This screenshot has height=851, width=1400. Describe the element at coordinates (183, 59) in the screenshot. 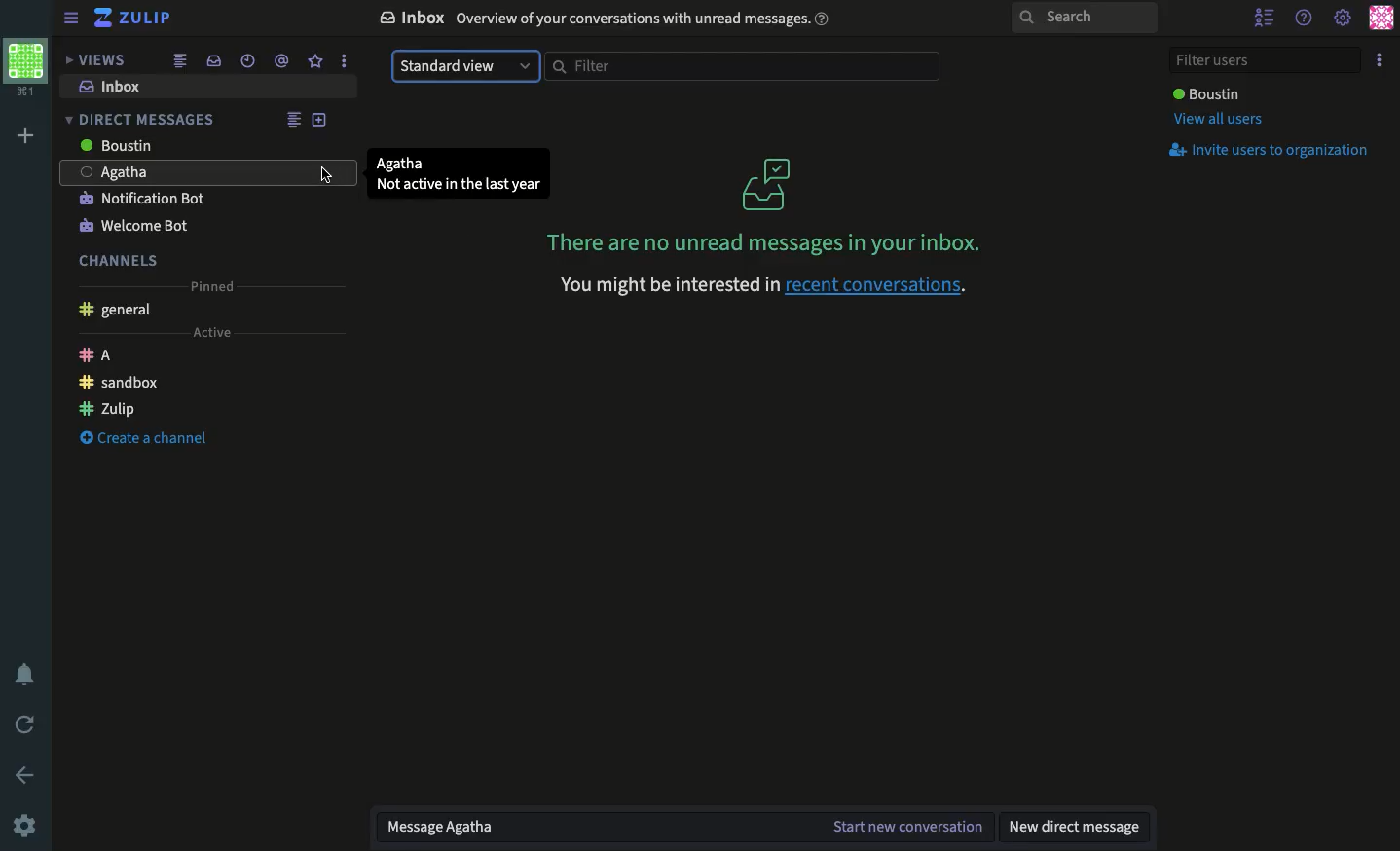

I see `Feed` at that location.